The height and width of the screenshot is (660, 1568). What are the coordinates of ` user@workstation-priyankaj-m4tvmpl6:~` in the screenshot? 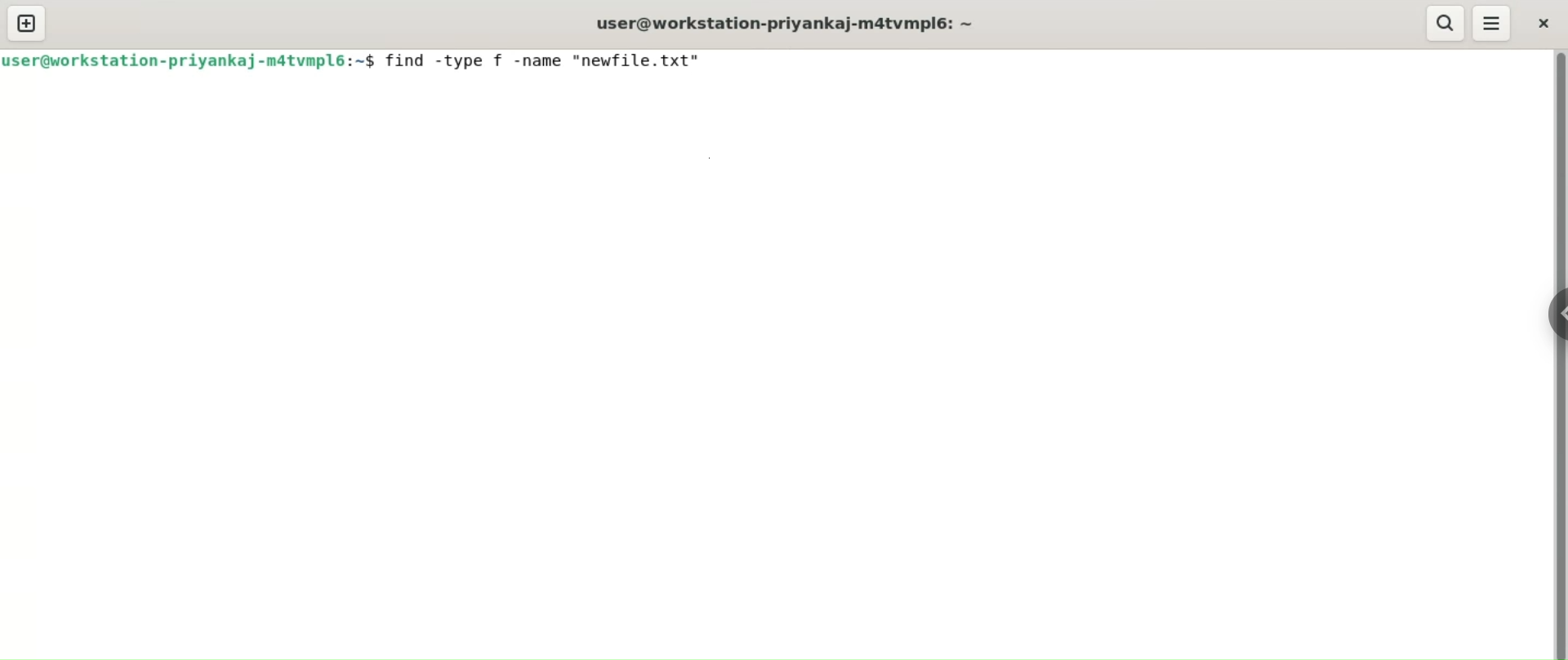 It's located at (787, 23).